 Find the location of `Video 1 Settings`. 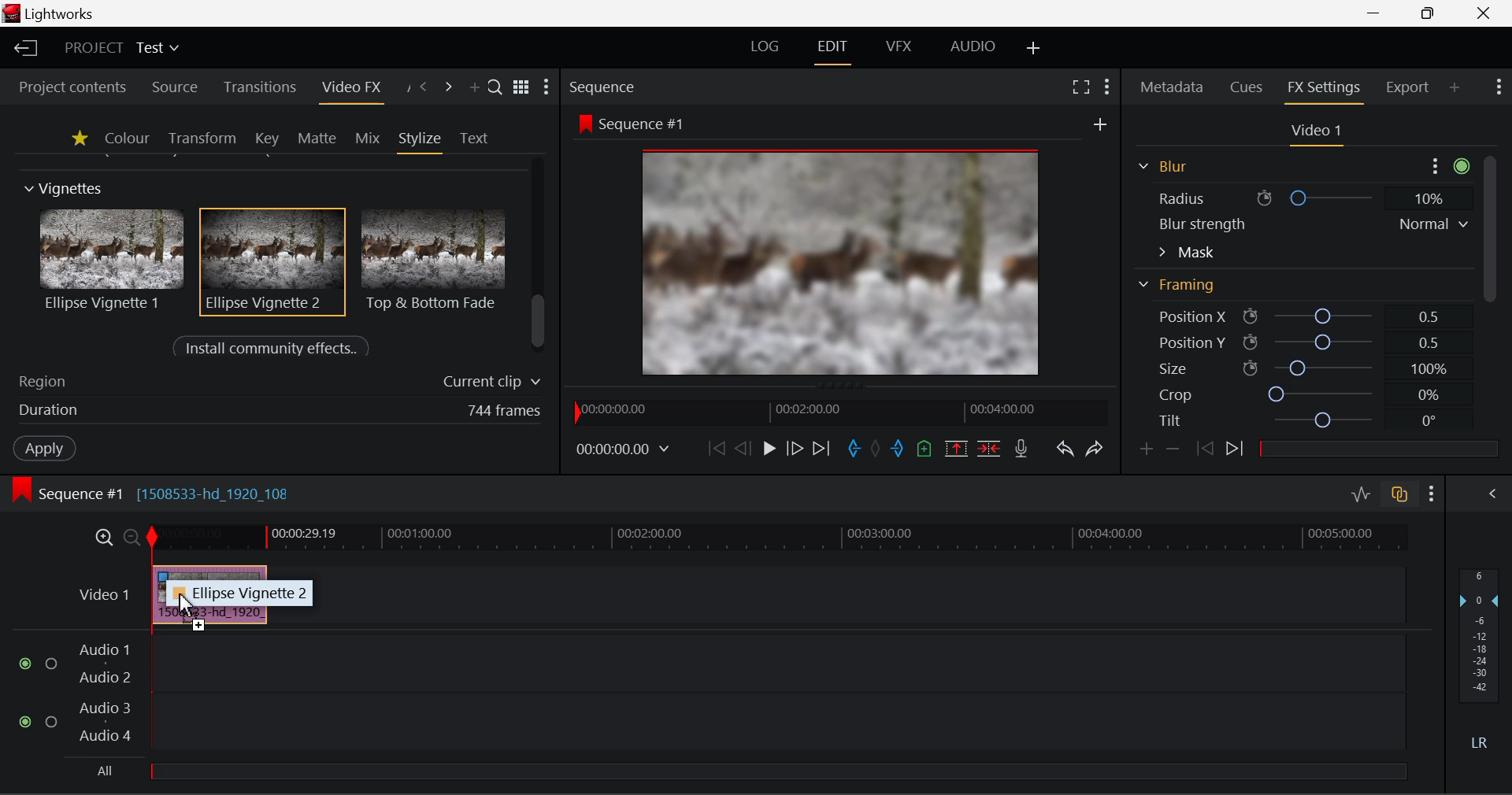

Video 1 Settings is located at coordinates (1317, 132).